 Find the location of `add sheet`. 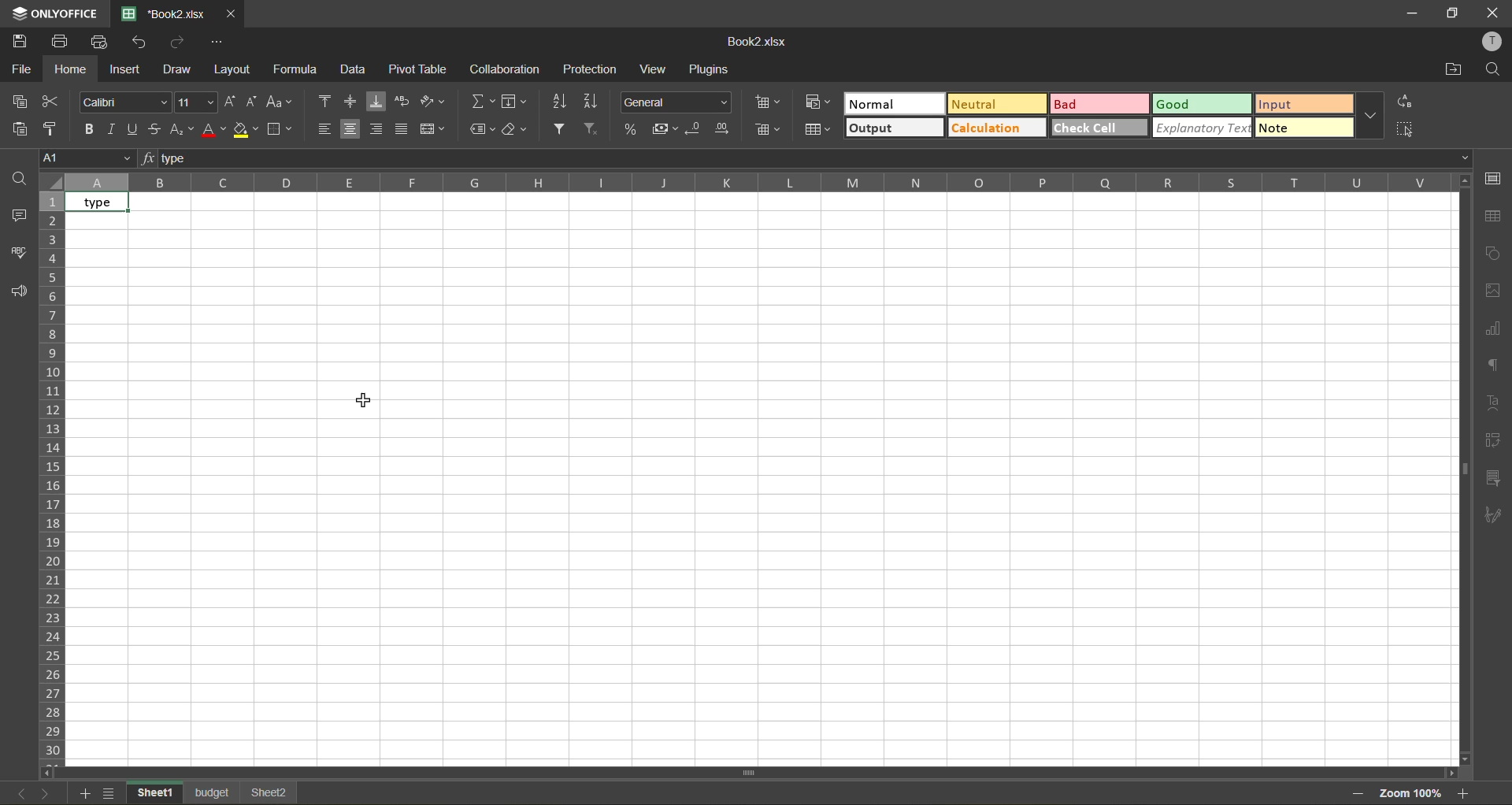

add sheet is located at coordinates (87, 793).